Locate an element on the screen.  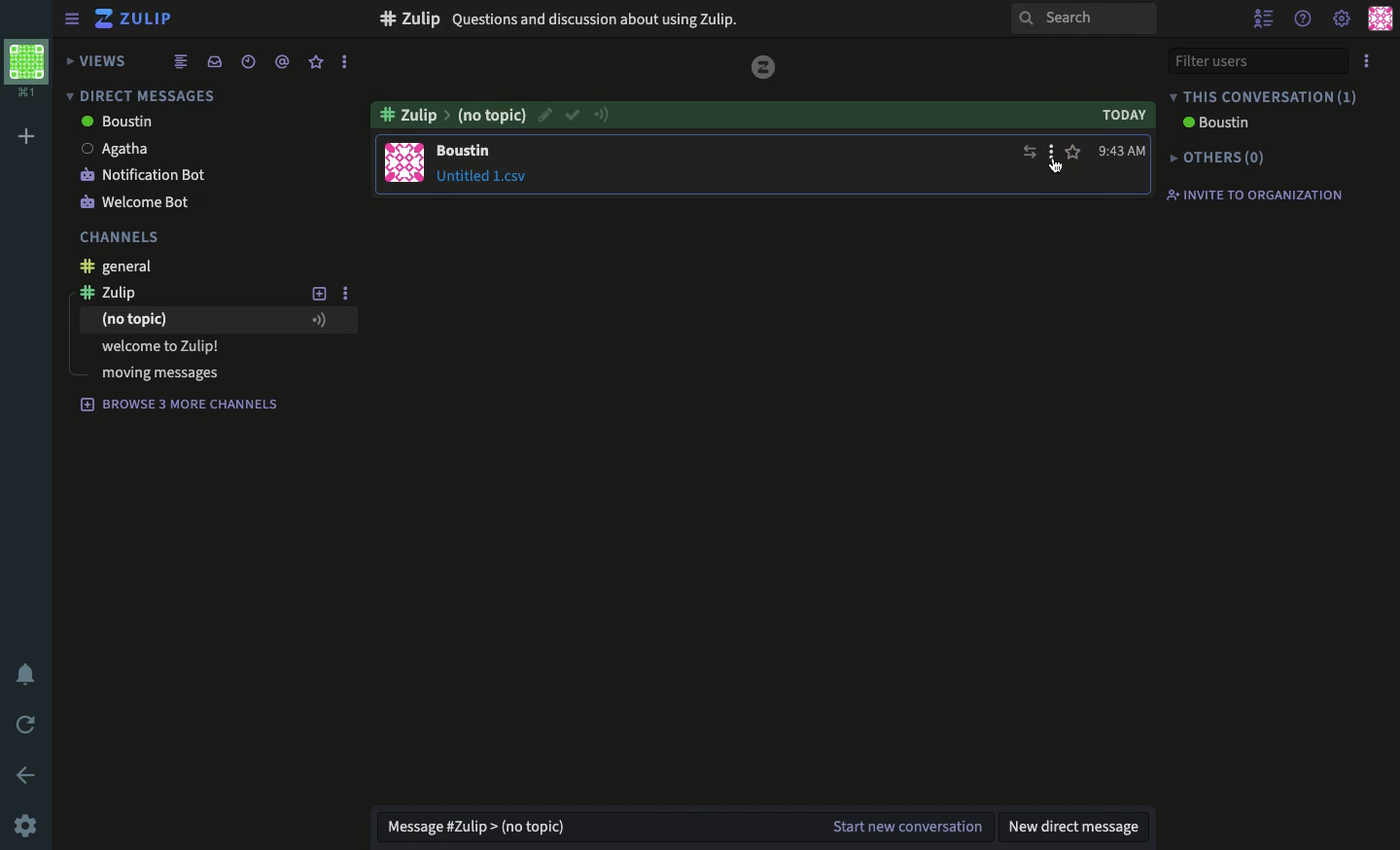
Boustin is located at coordinates (114, 123).